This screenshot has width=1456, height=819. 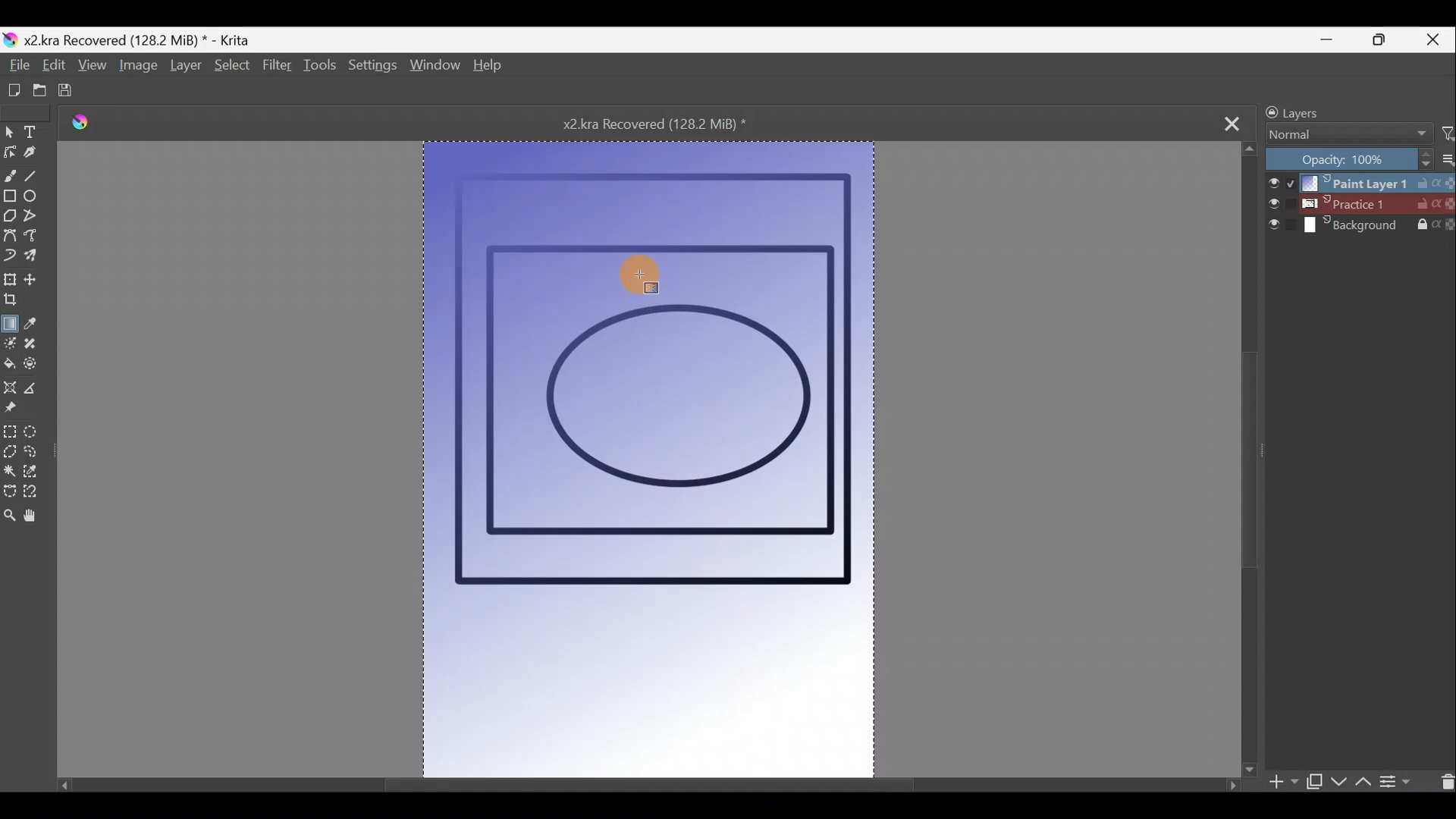 I want to click on Fill a contiguous area of colour with colour/fill a selection, so click(x=9, y=366).